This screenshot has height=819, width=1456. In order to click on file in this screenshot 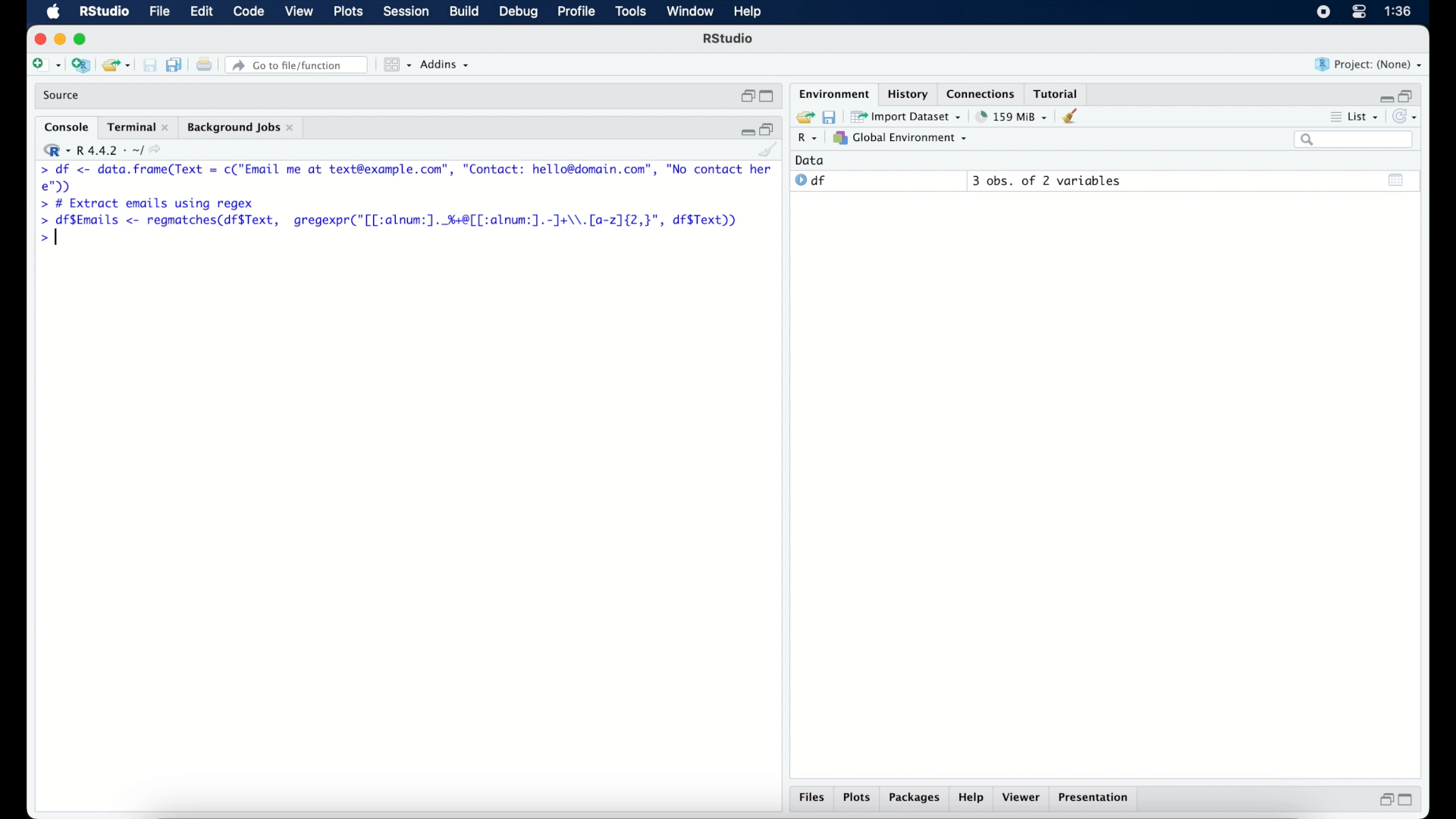, I will do `click(160, 12)`.